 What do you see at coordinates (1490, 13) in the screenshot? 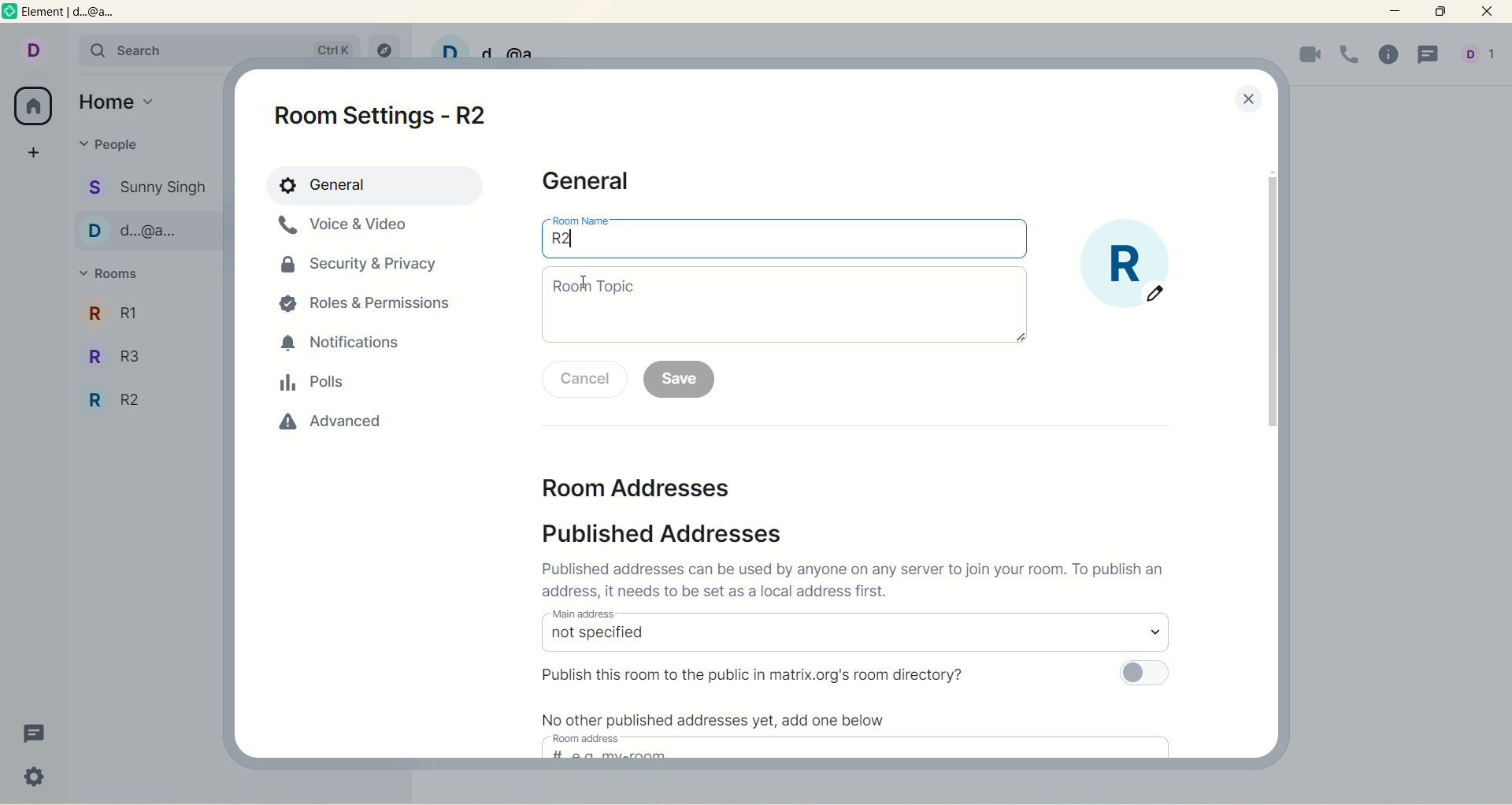
I see `close` at bounding box center [1490, 13].